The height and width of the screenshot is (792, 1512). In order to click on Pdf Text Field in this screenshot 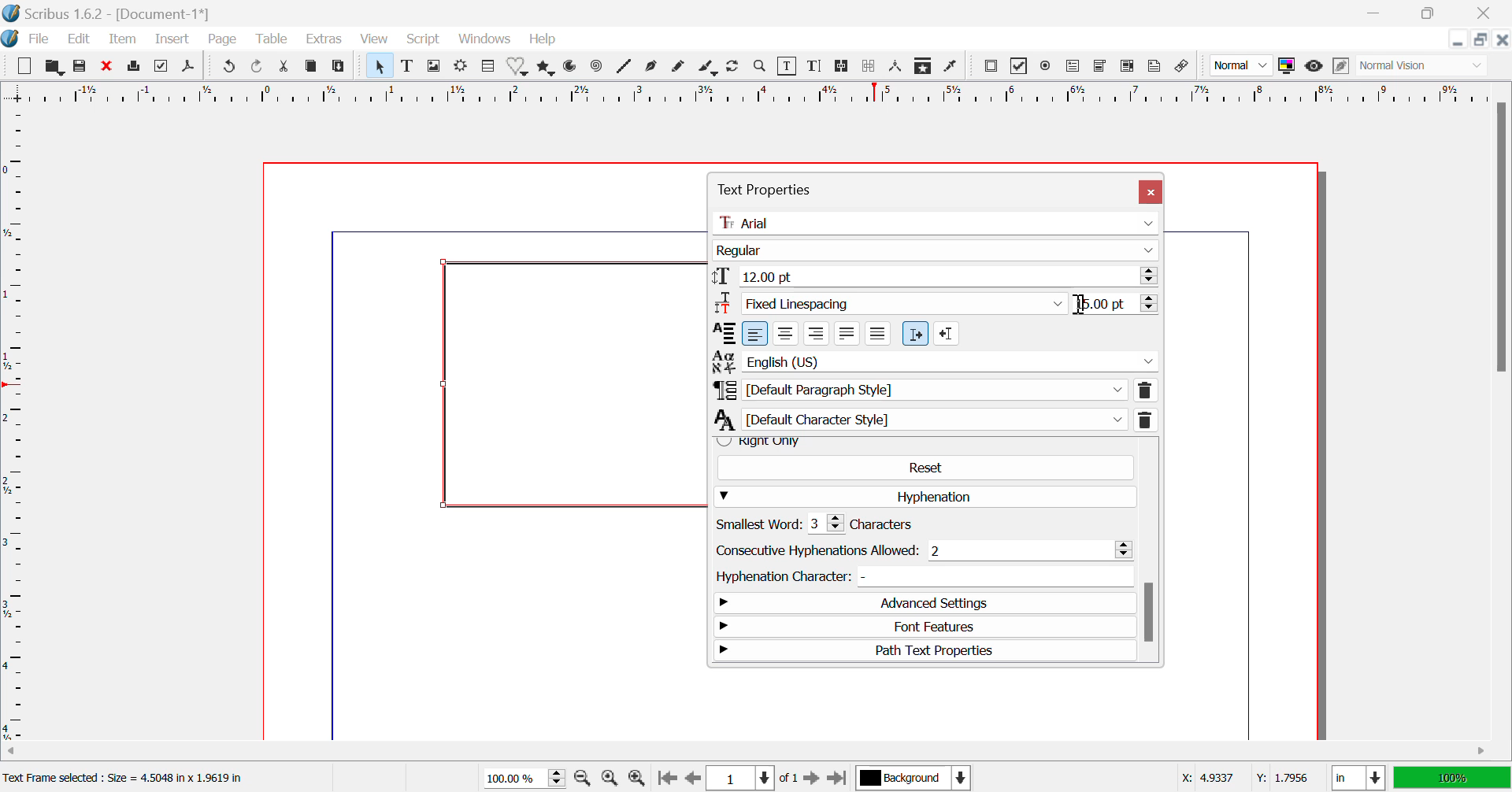, I will do `click(1074, 68)`.